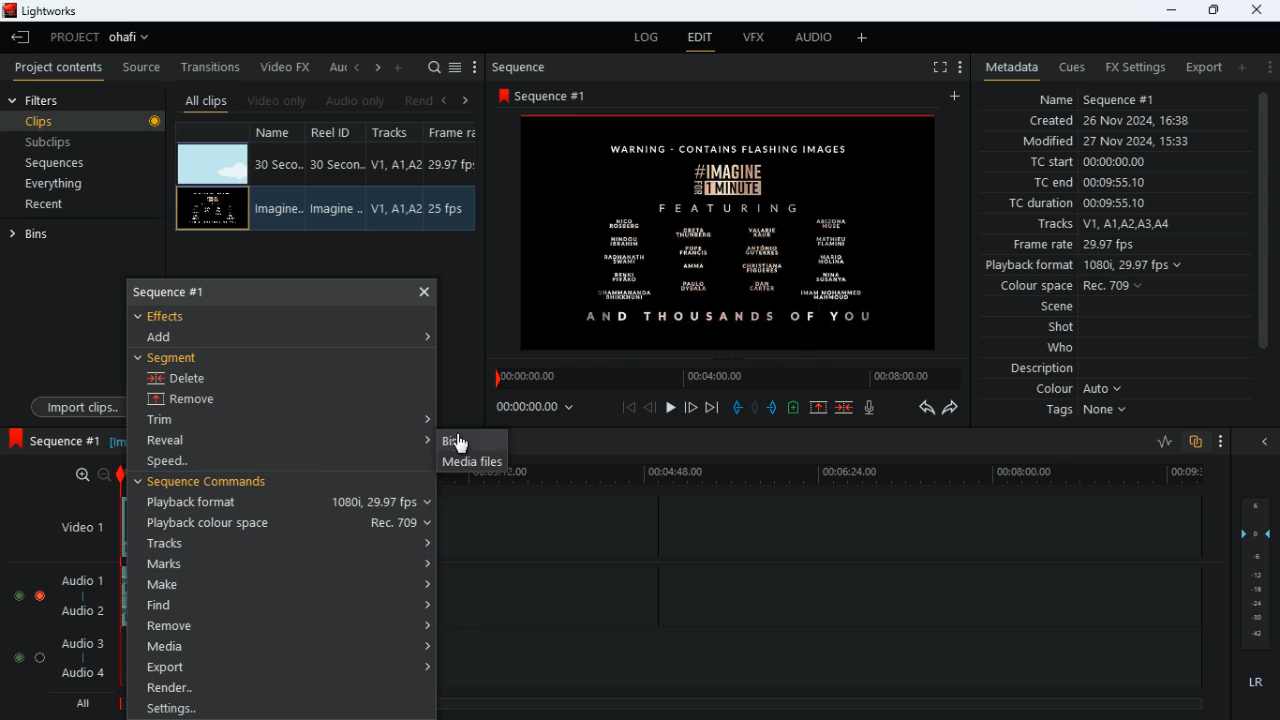 The height and width of the screenshot is (720, 1280). Describe the element at coordinates (1270, 67) in the screenshot. I see `more` at that location.